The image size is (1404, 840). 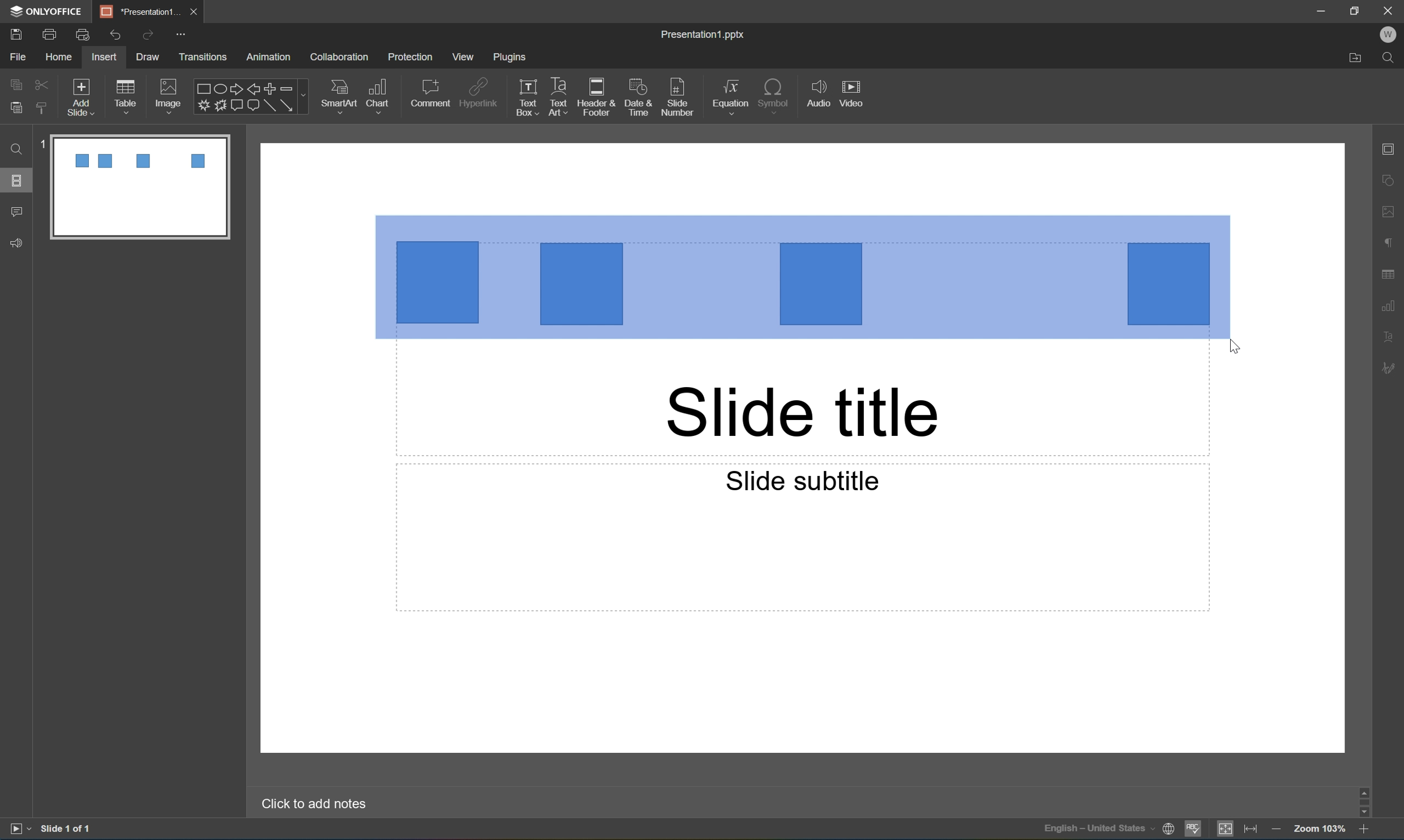 What do you see at coordinates (335, 94) in the screenshot?
I see `smart art` at bounding box center [335, 94].